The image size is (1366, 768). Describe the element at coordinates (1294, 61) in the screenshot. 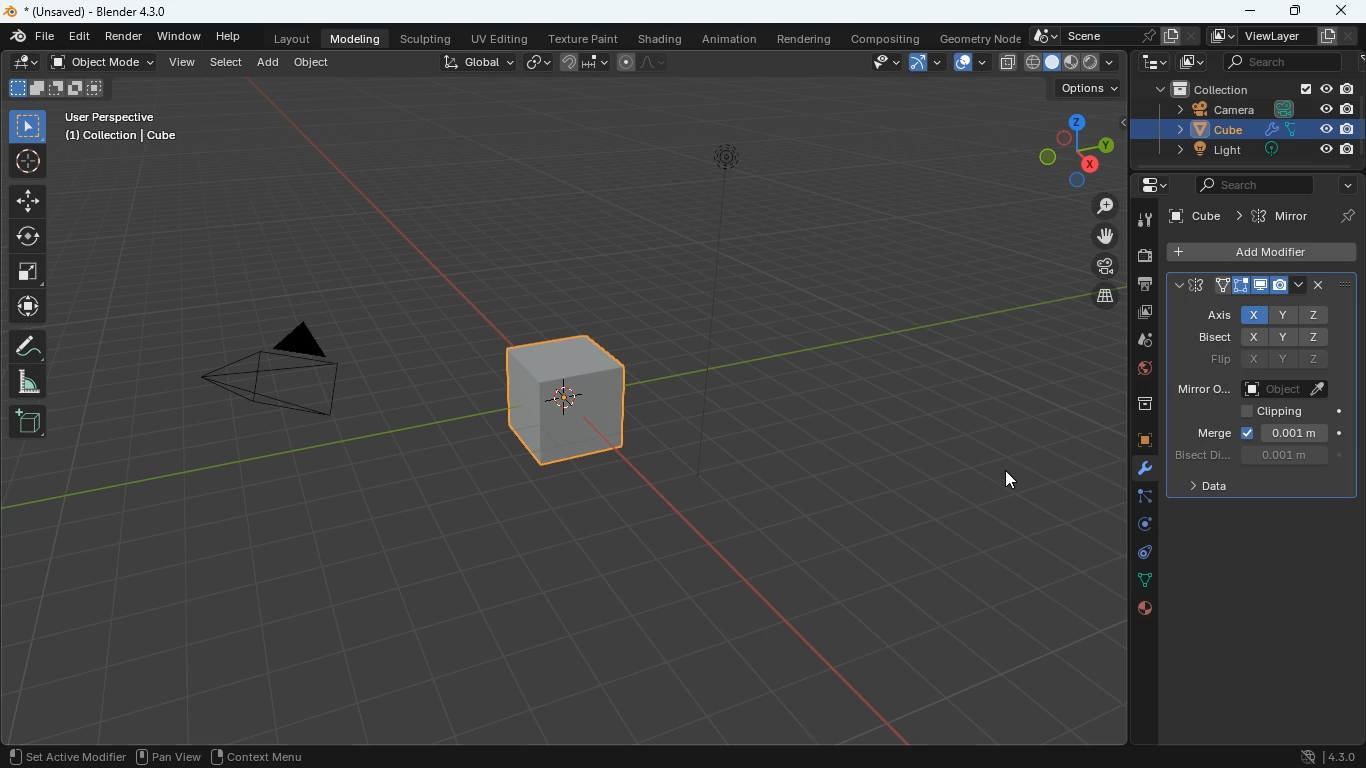

I see `search` at that location.